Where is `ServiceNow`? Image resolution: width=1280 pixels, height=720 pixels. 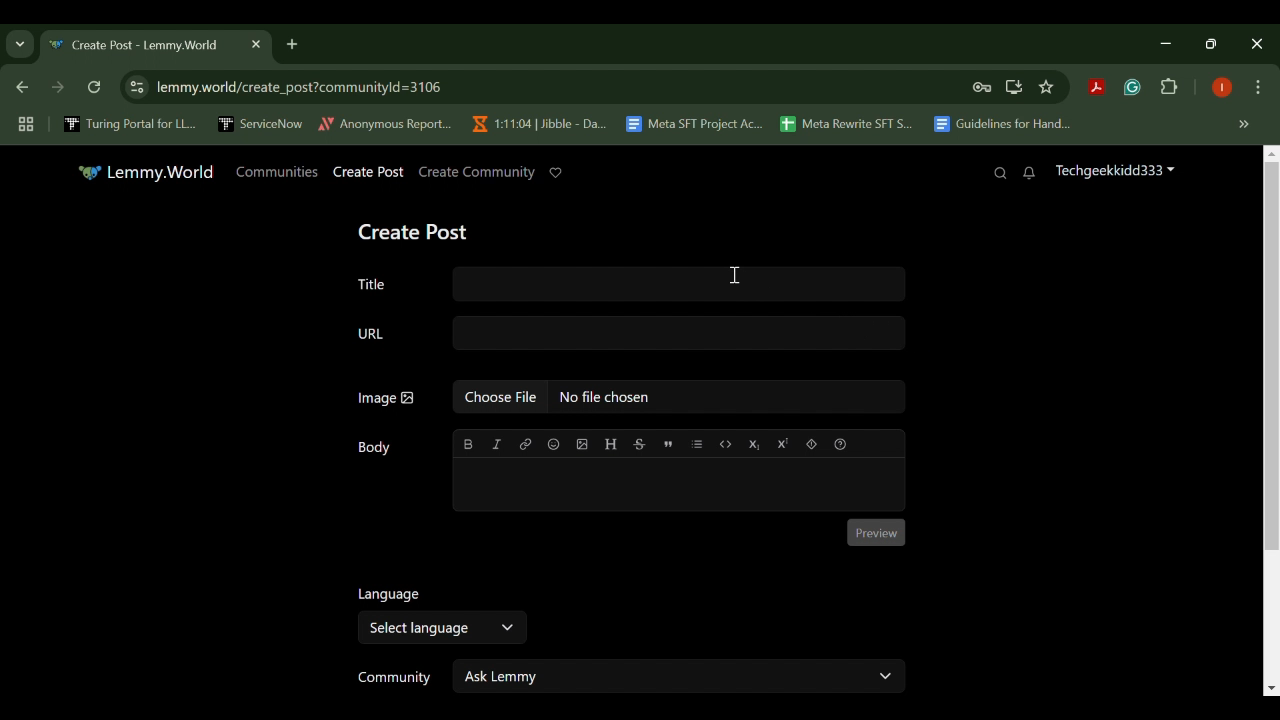 ServiceNow is located at coordinates (261, 123).